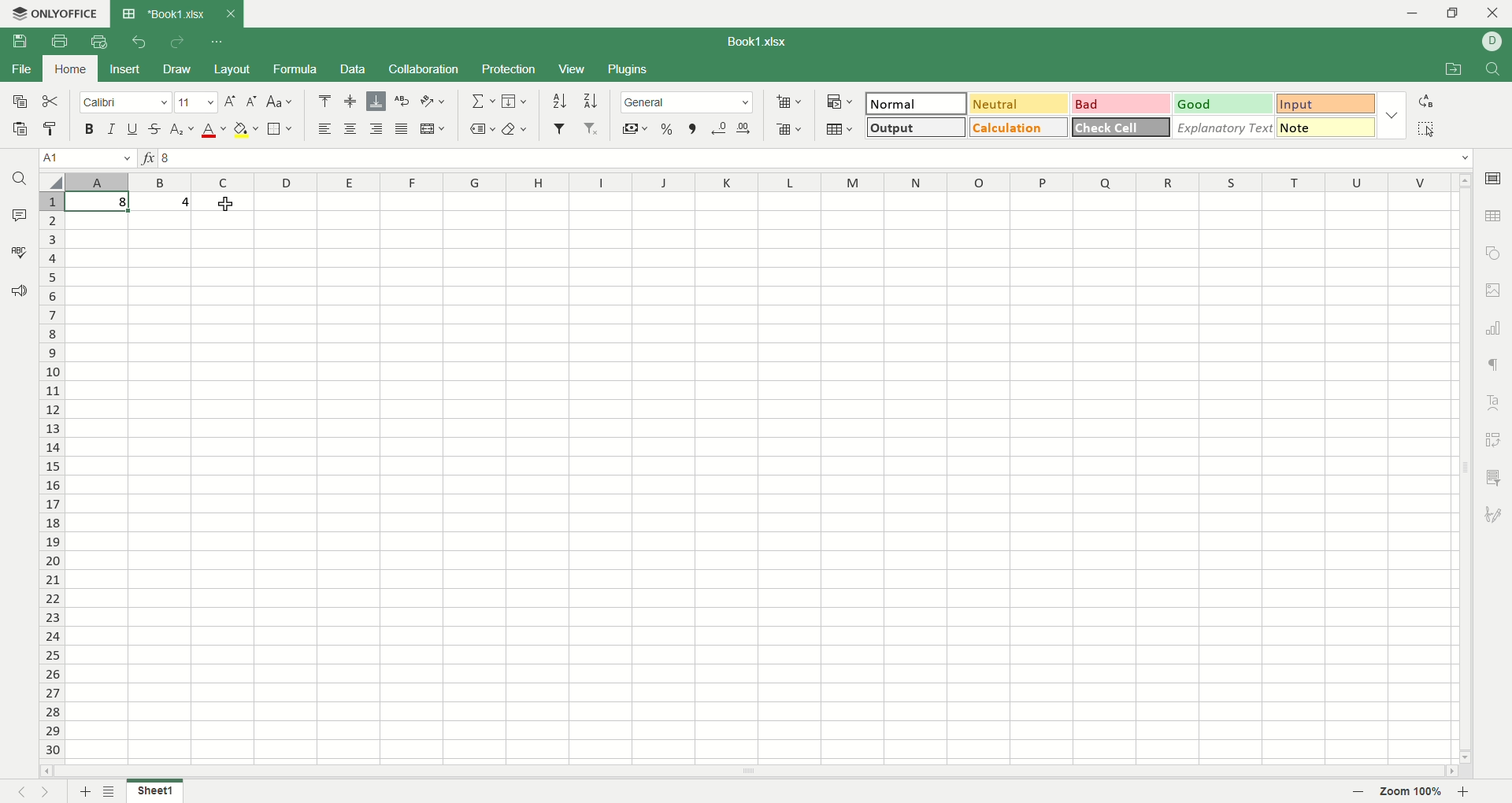 The image size is (1512, 803). What do you see at coordinates (573, 70) in the screenshot?
I see `view` at bounding box center [573, 70].